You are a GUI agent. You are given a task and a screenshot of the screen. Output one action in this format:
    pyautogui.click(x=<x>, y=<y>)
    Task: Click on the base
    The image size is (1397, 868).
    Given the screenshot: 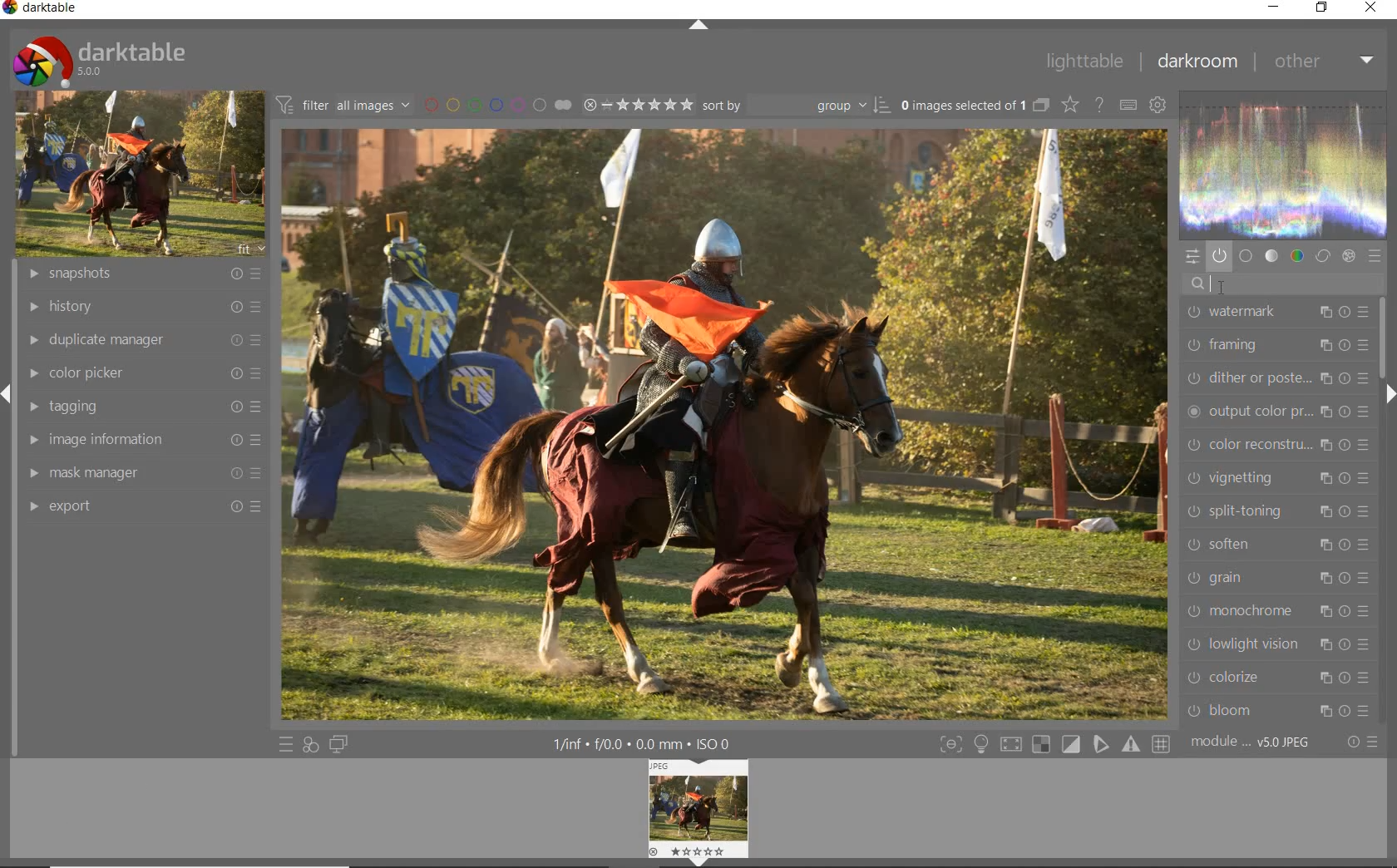 What is the action you would take?
    pyautogui.click(x=1246, y=257)
    